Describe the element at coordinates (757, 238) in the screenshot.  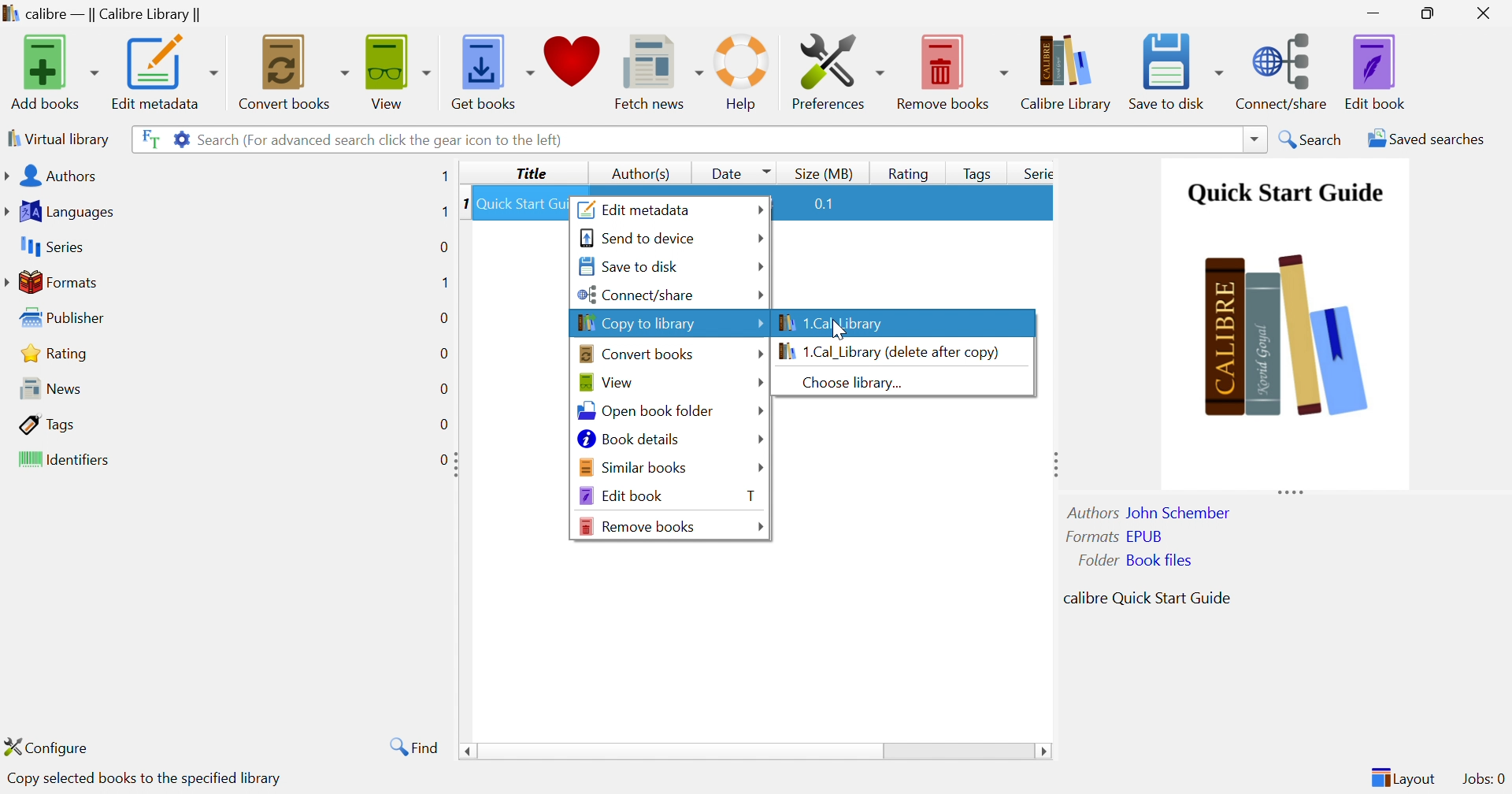
I see `Drop Down` at that location.